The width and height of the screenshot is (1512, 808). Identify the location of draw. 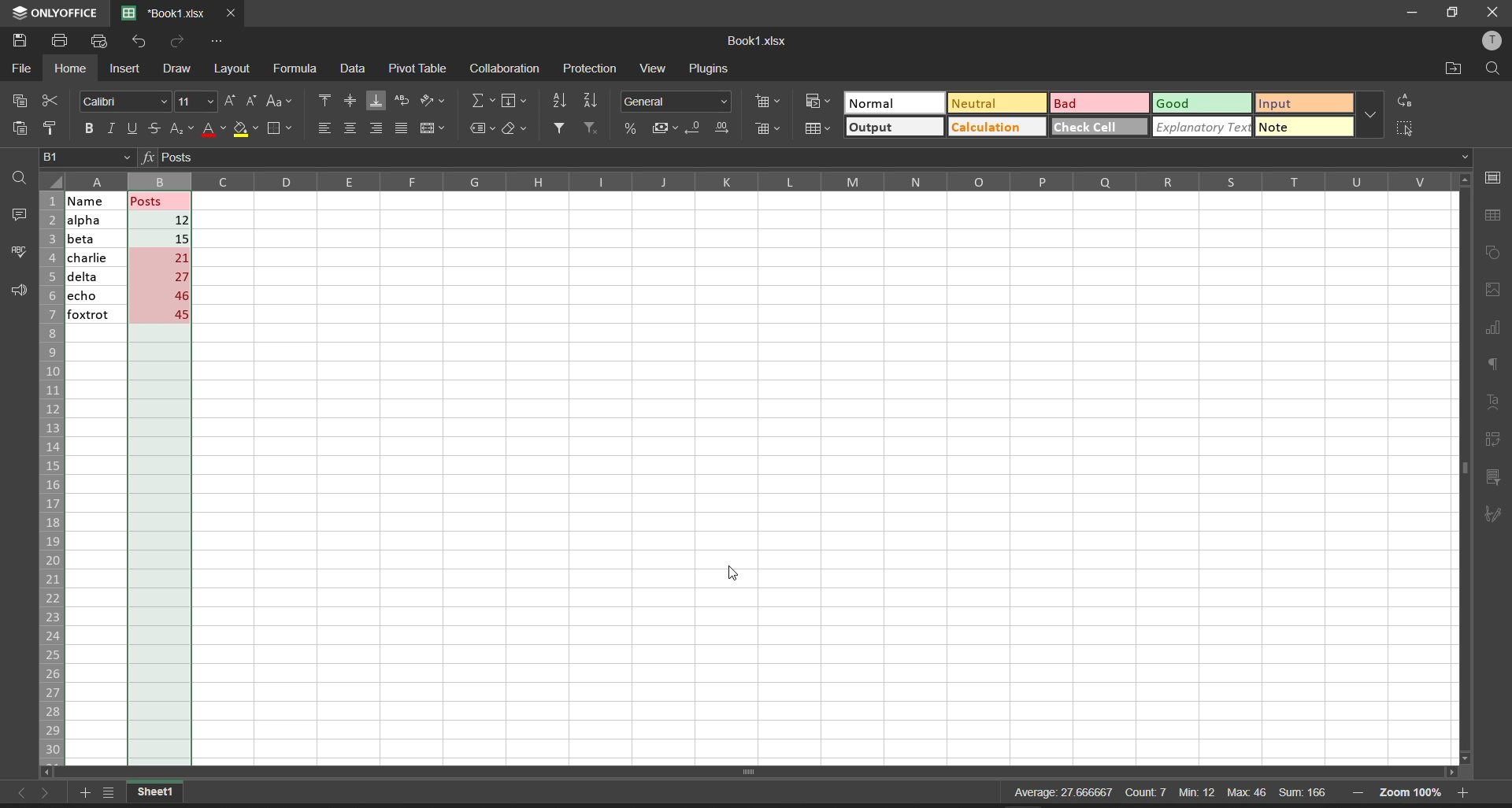
(178, 68).